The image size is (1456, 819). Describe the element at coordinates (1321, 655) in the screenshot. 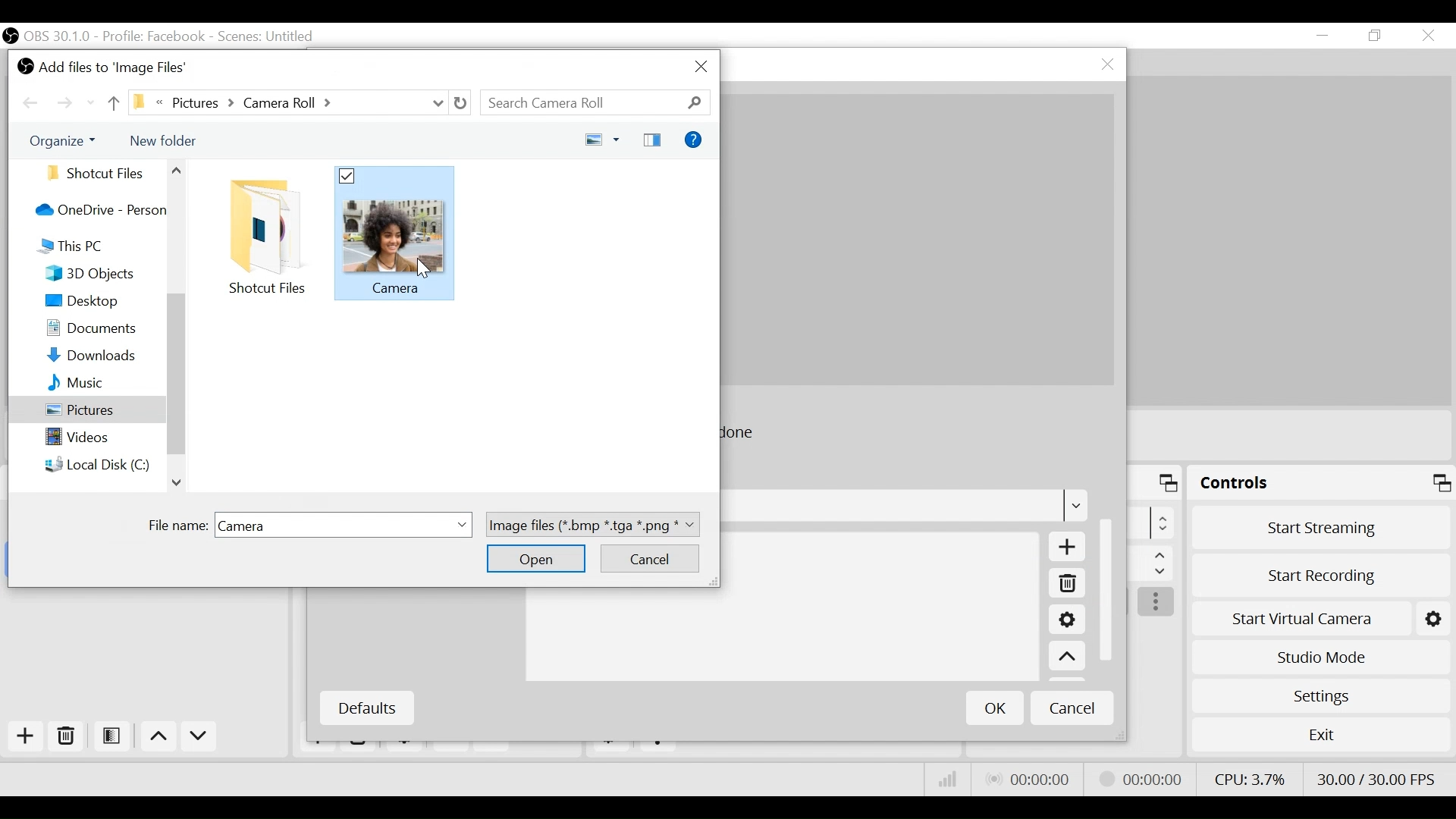

I see `Studio Mode` at that location.